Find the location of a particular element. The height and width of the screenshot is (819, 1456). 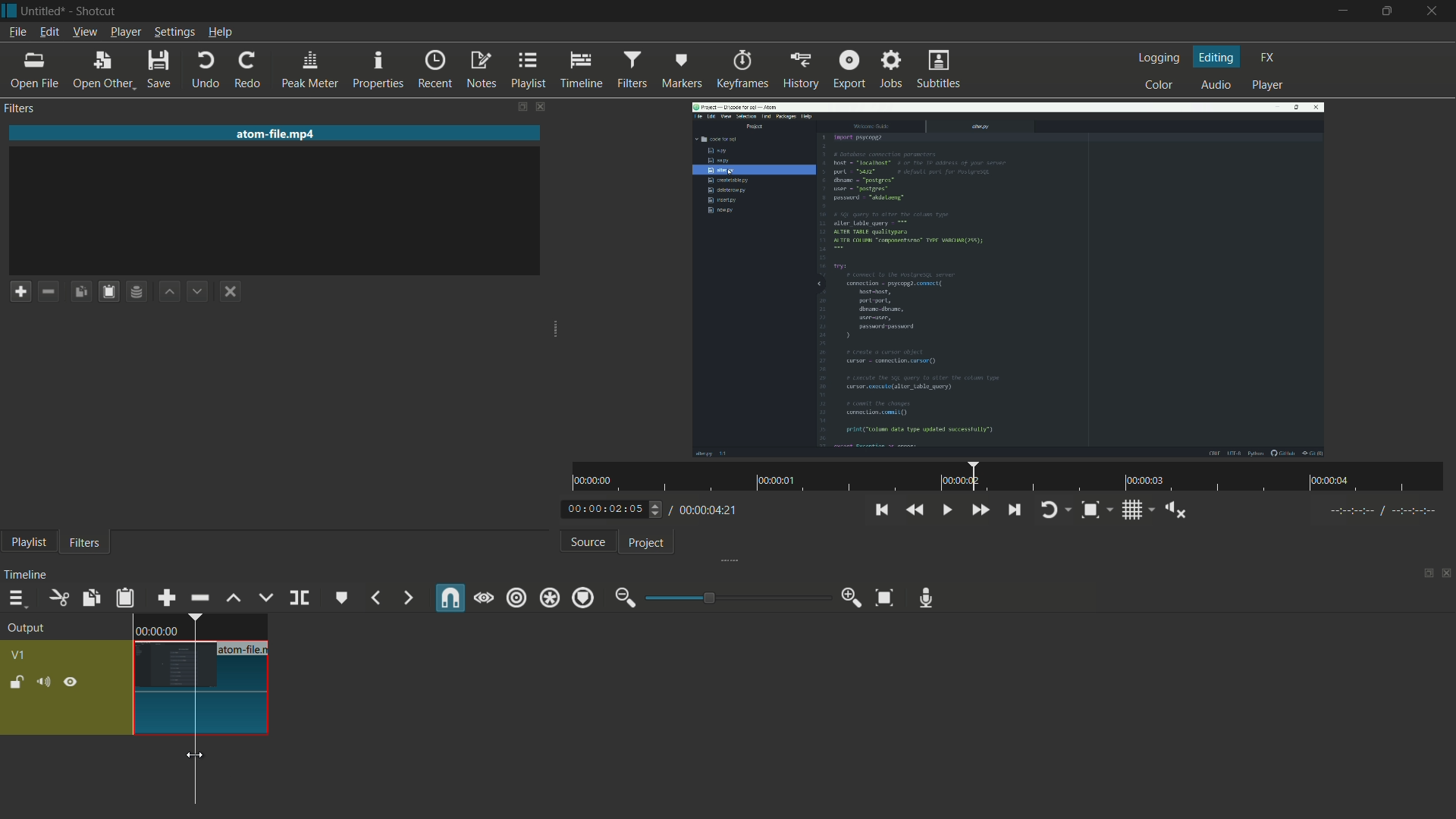

app icon is located at coordinates (10, 14).